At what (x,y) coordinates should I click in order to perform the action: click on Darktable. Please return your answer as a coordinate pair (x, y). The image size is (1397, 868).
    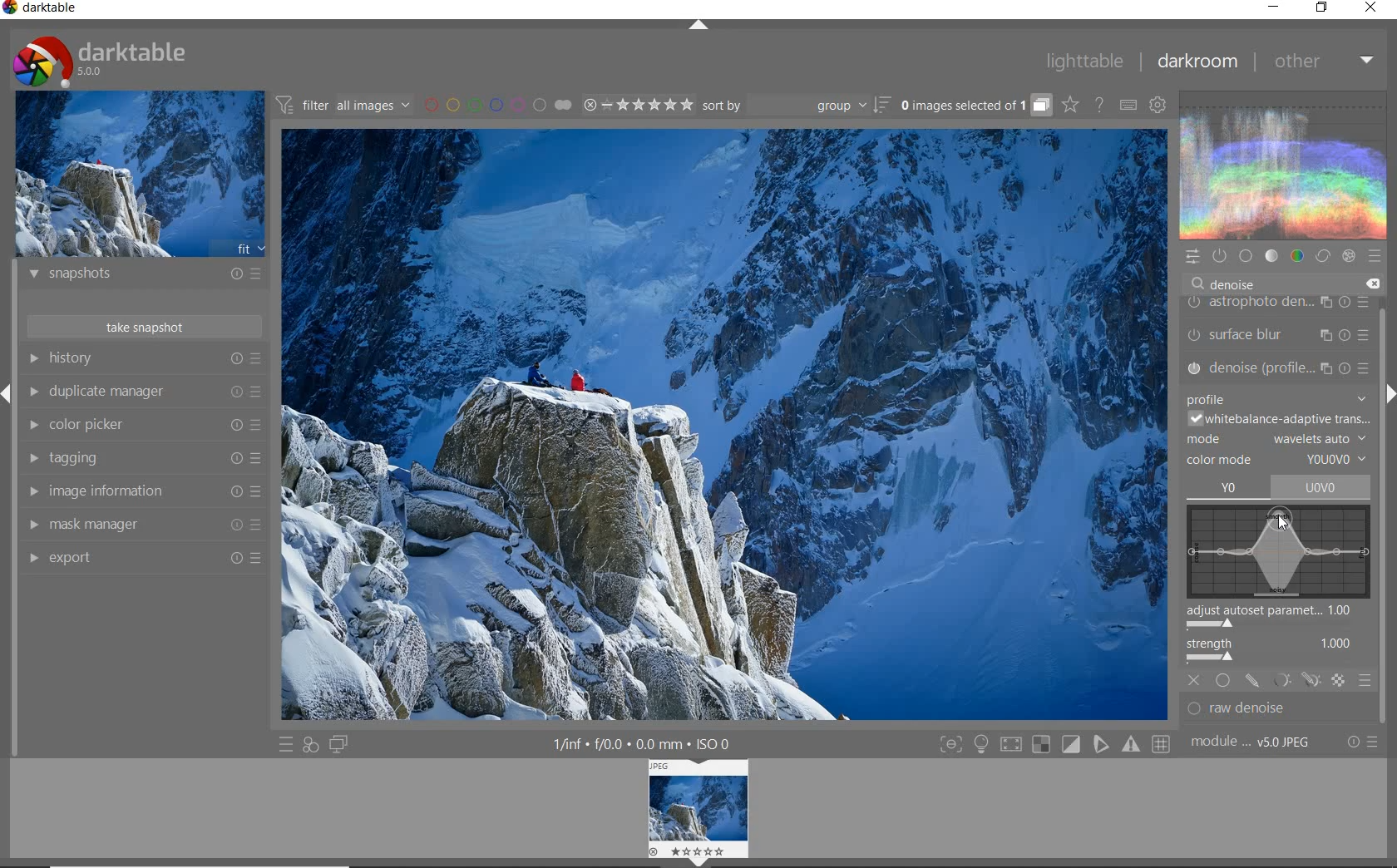
    Looking at the image, I should click on (42, 11).